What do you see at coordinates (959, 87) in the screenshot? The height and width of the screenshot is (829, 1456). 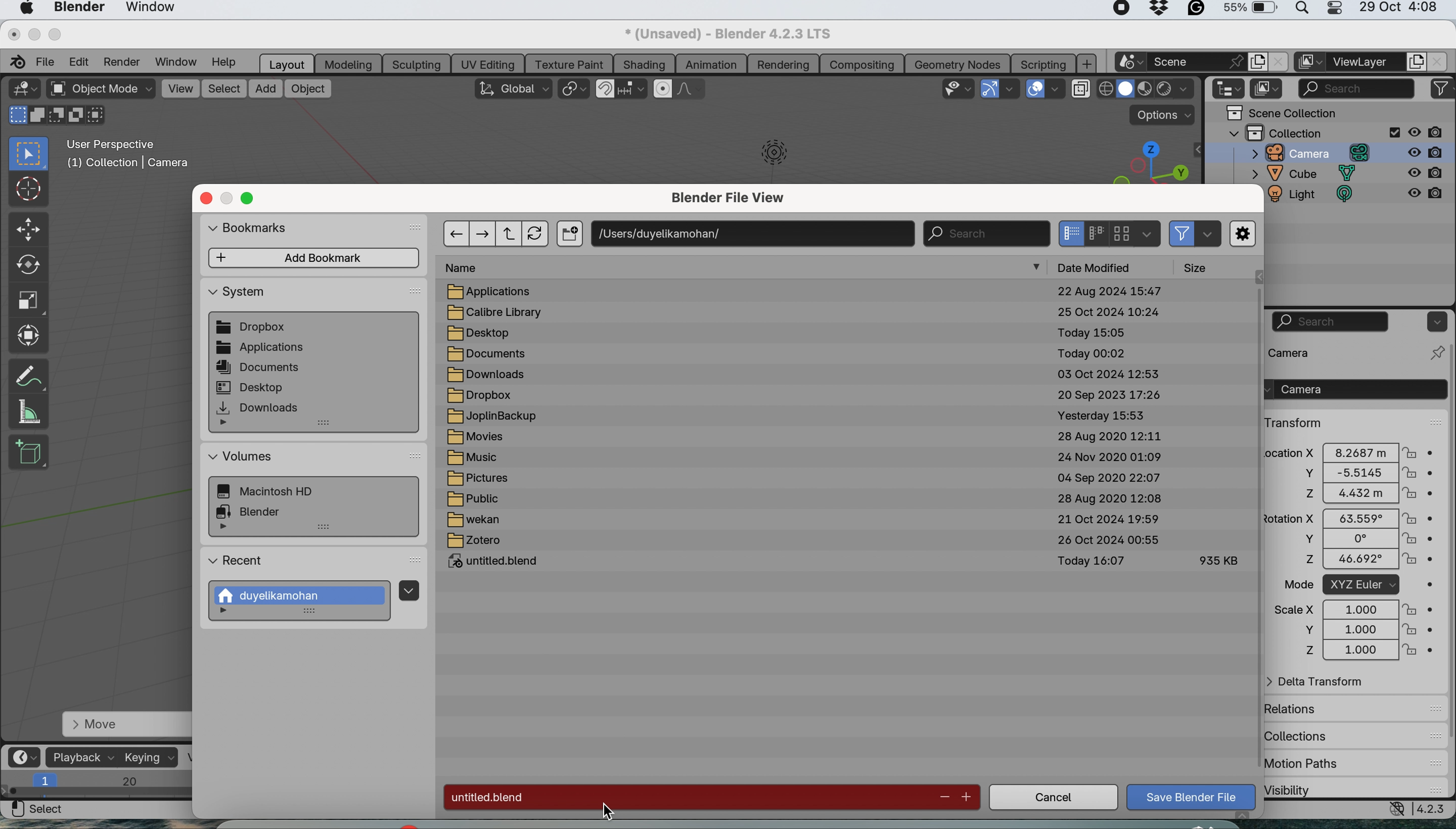 I see `selectability and visibility` at bounding box center [959, 87].